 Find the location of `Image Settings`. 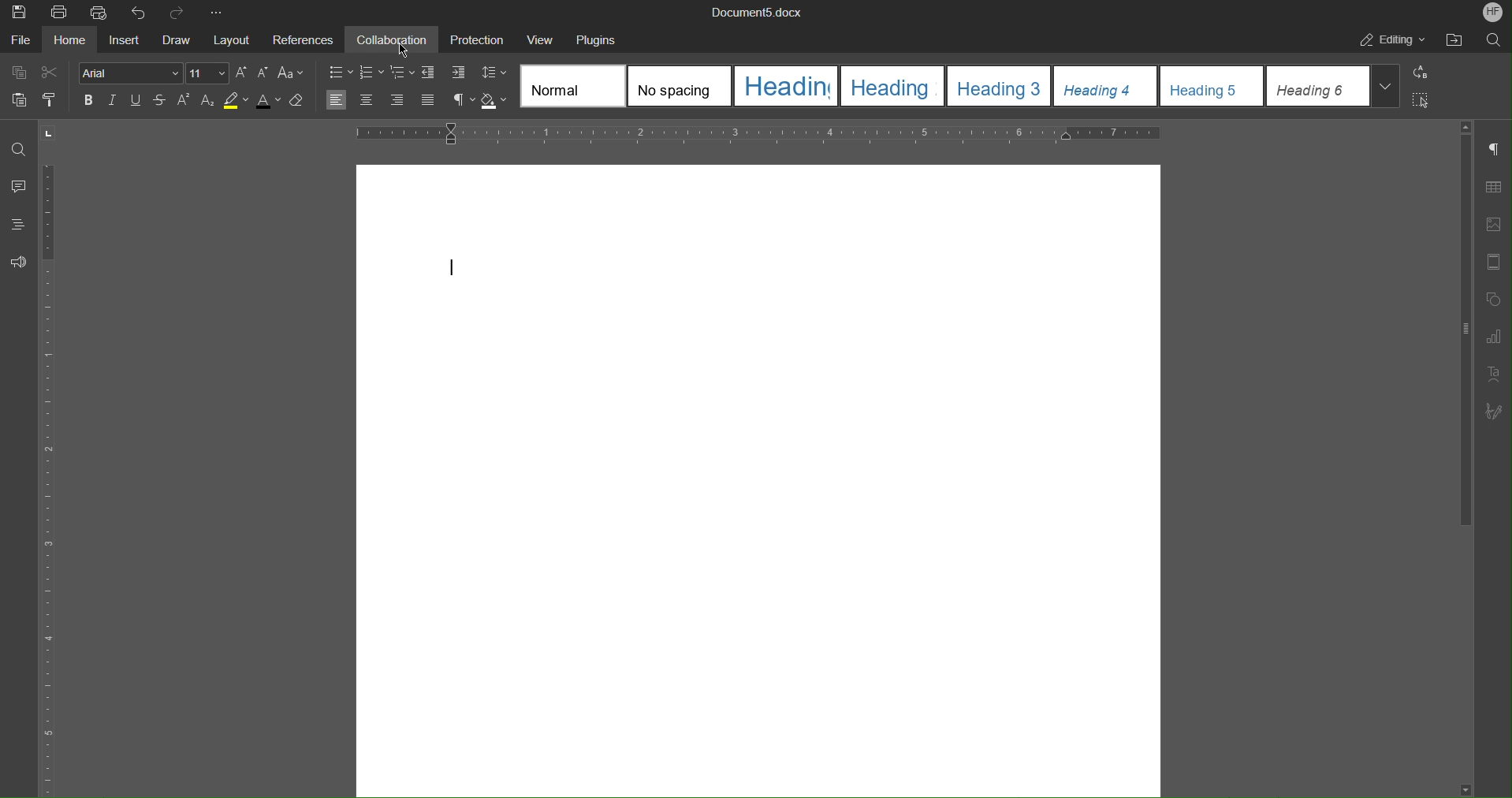

Image Settings is located at coordinates (1490, 228).